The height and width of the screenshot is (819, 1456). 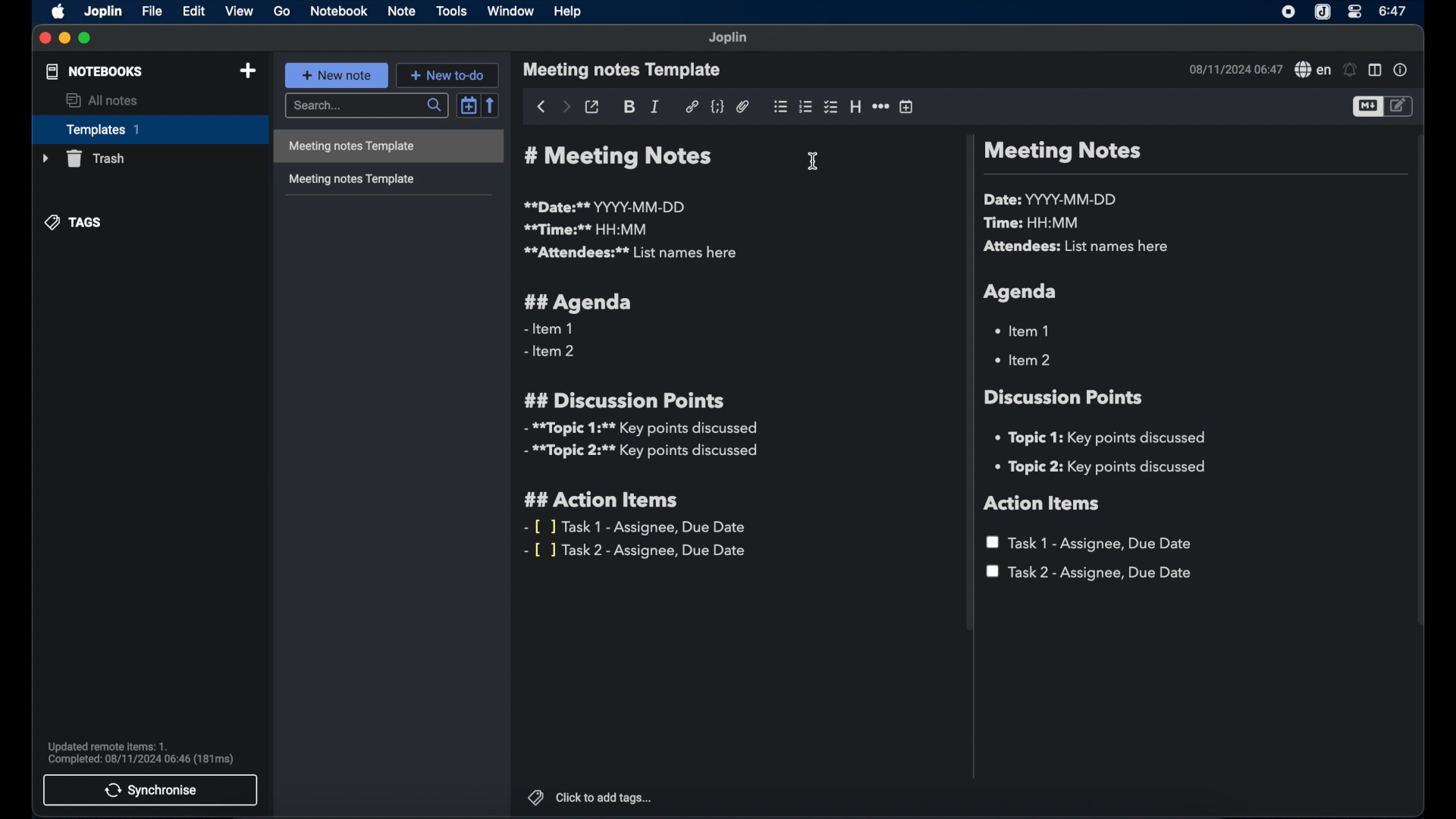 I want to click on window, so click(x=511, y=12).